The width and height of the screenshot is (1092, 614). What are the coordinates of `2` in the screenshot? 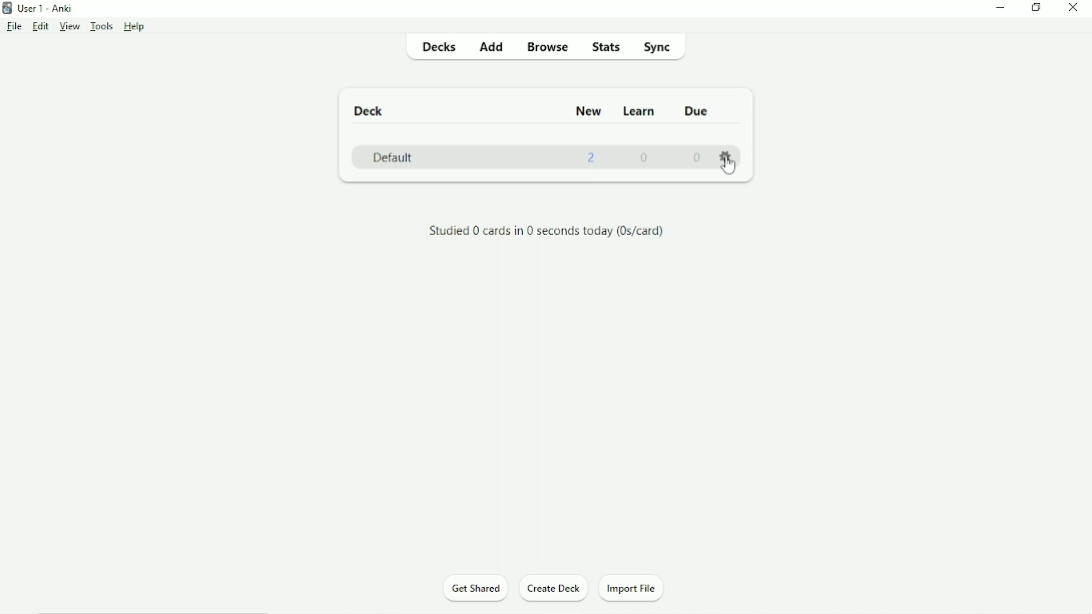 It's located at (592, 157).